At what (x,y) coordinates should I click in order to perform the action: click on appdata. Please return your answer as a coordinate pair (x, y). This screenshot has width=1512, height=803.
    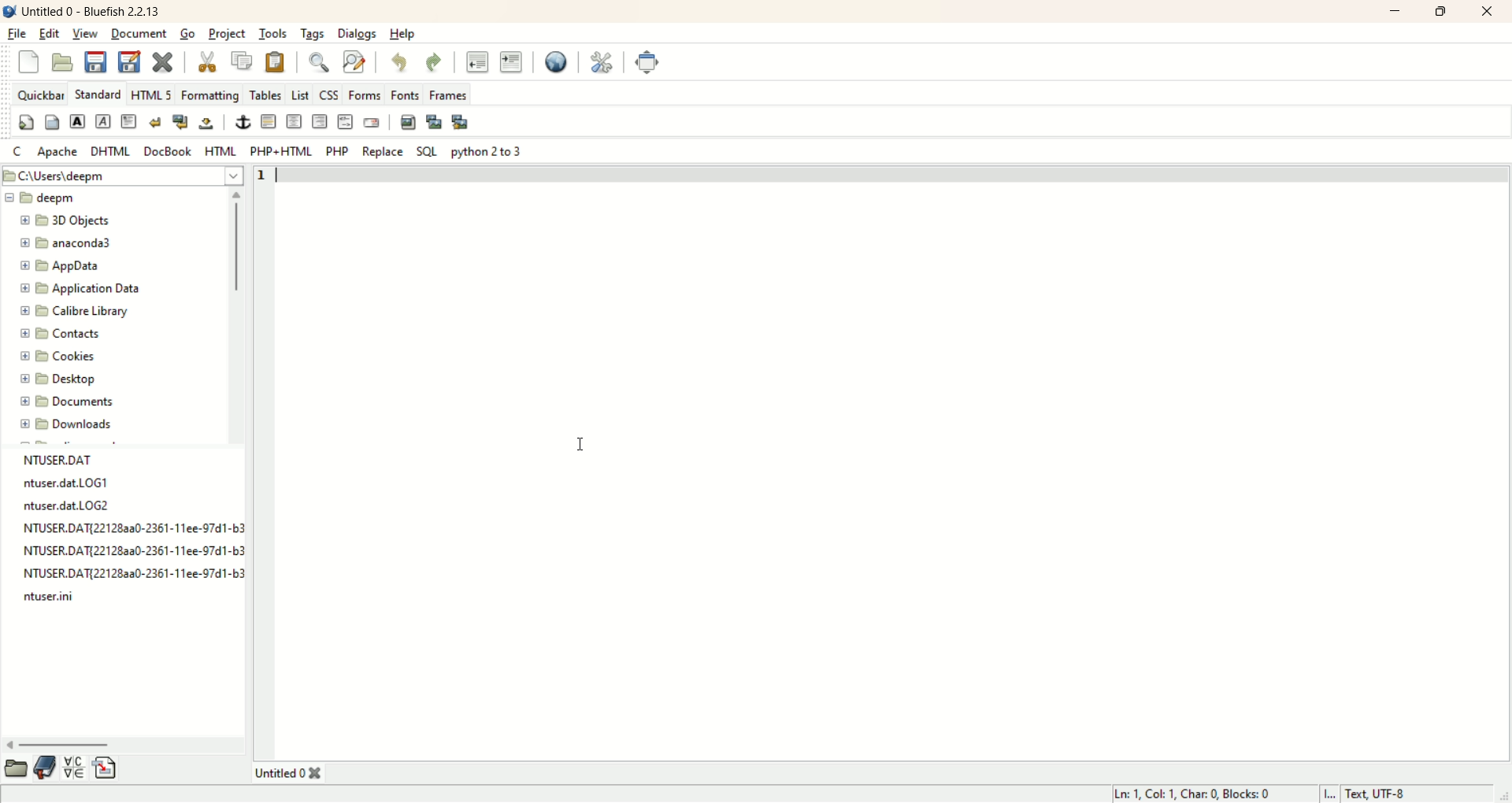
    Looking at the image, I should click on (61, 268).